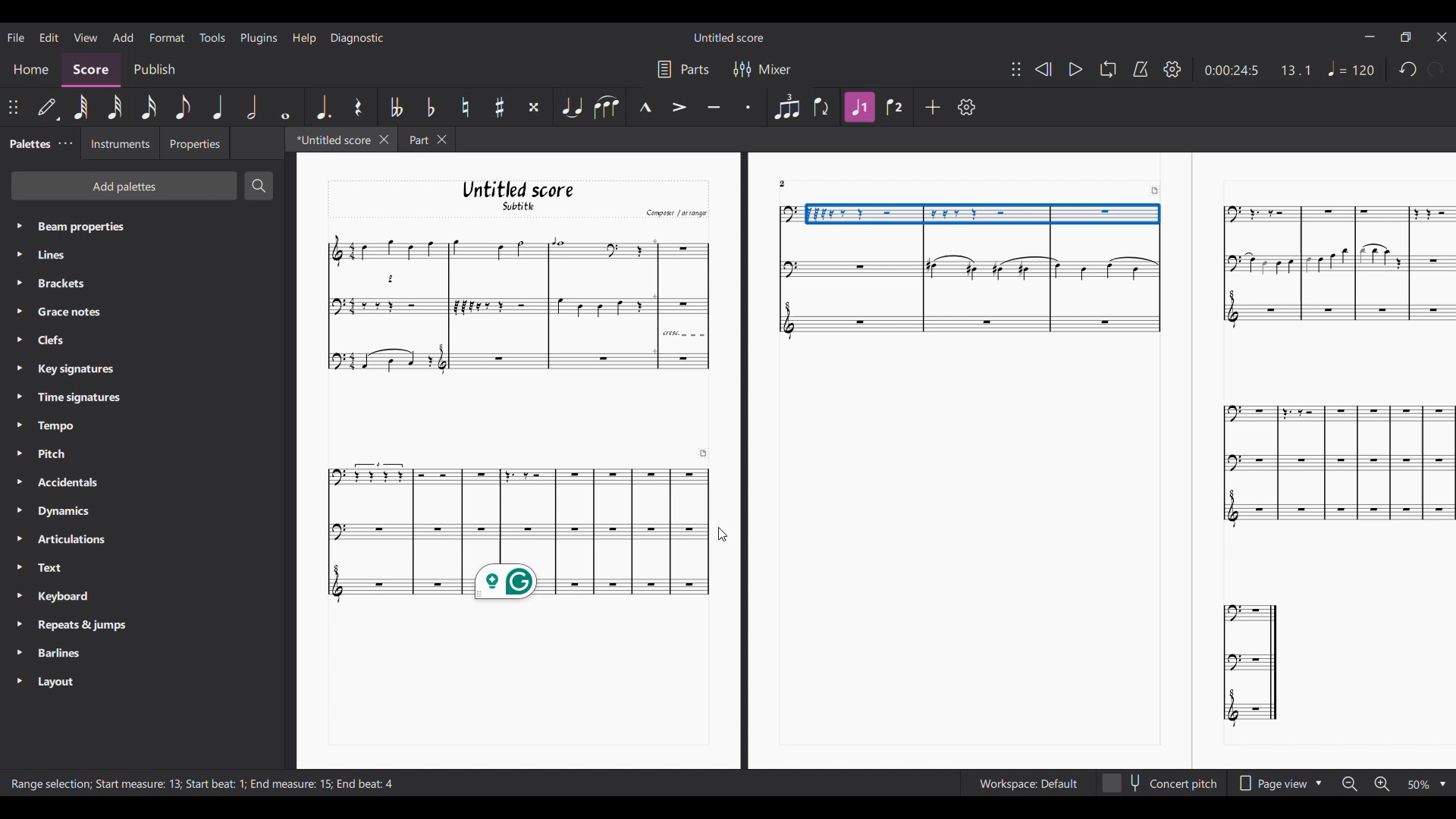 This screenshot has height=819, width=1456. I want to click on Untitled score Subtitle, so click(532, 196).